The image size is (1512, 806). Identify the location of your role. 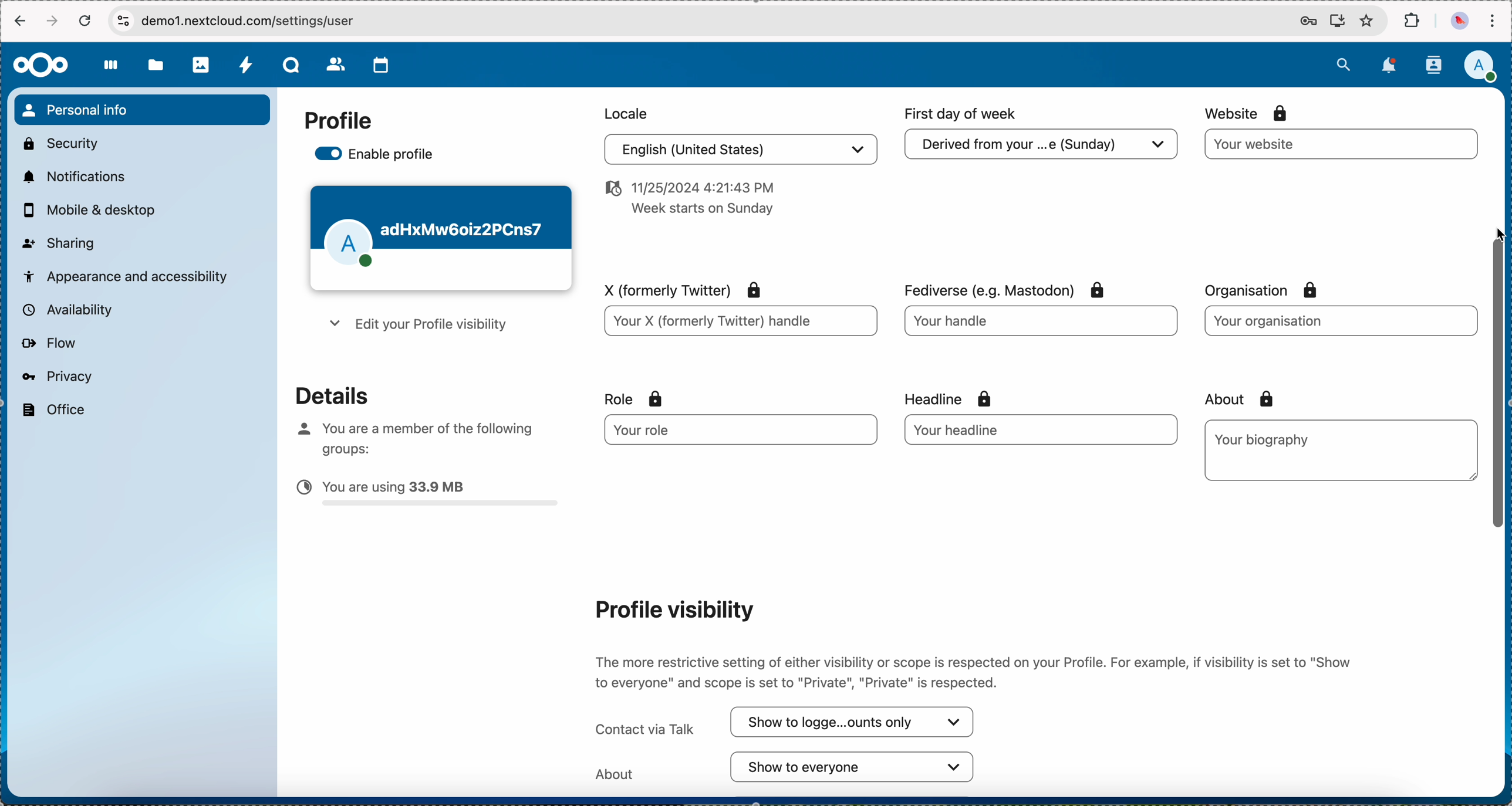
(731, 430).